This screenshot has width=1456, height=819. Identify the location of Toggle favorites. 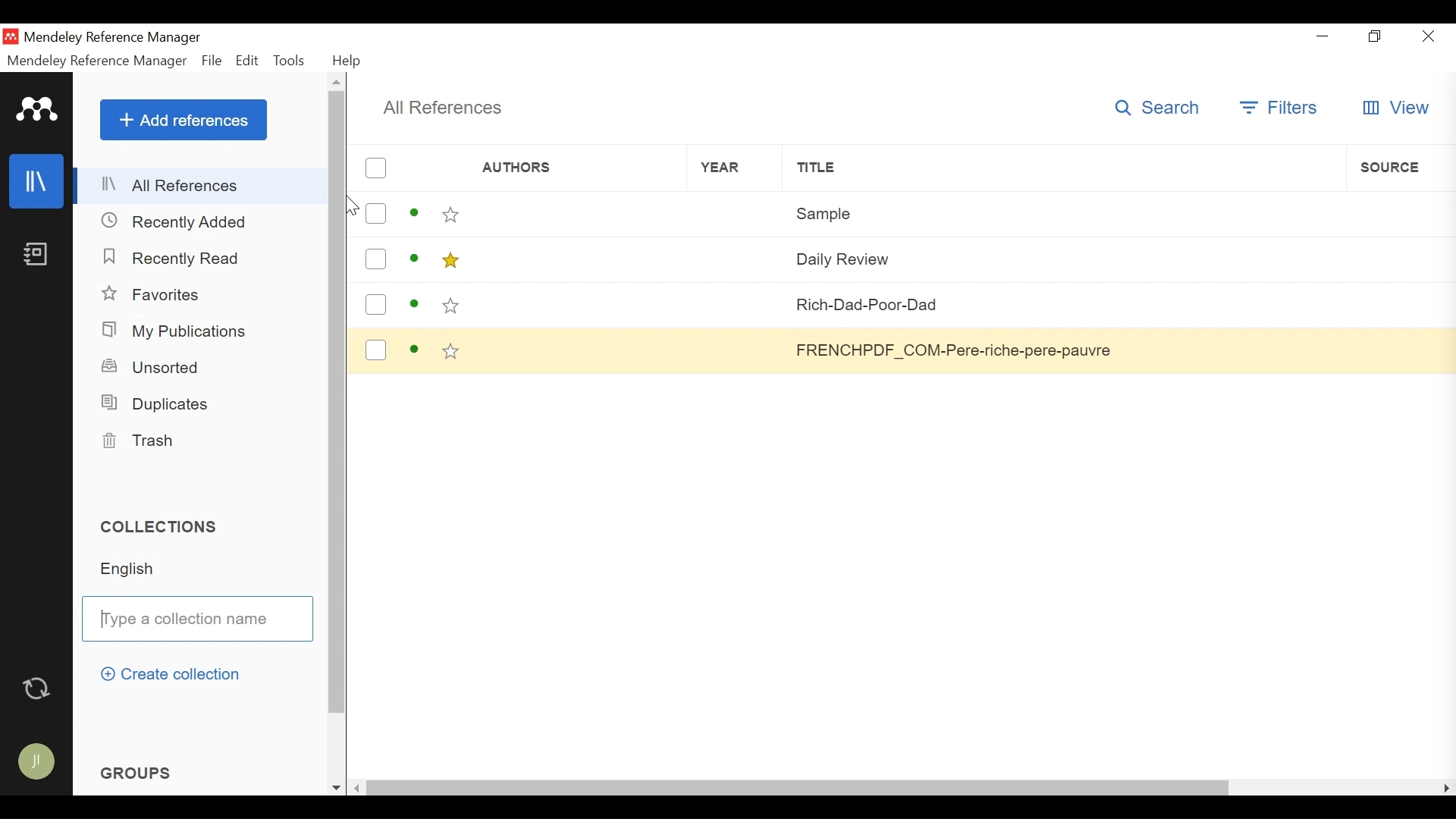
(451, 215).